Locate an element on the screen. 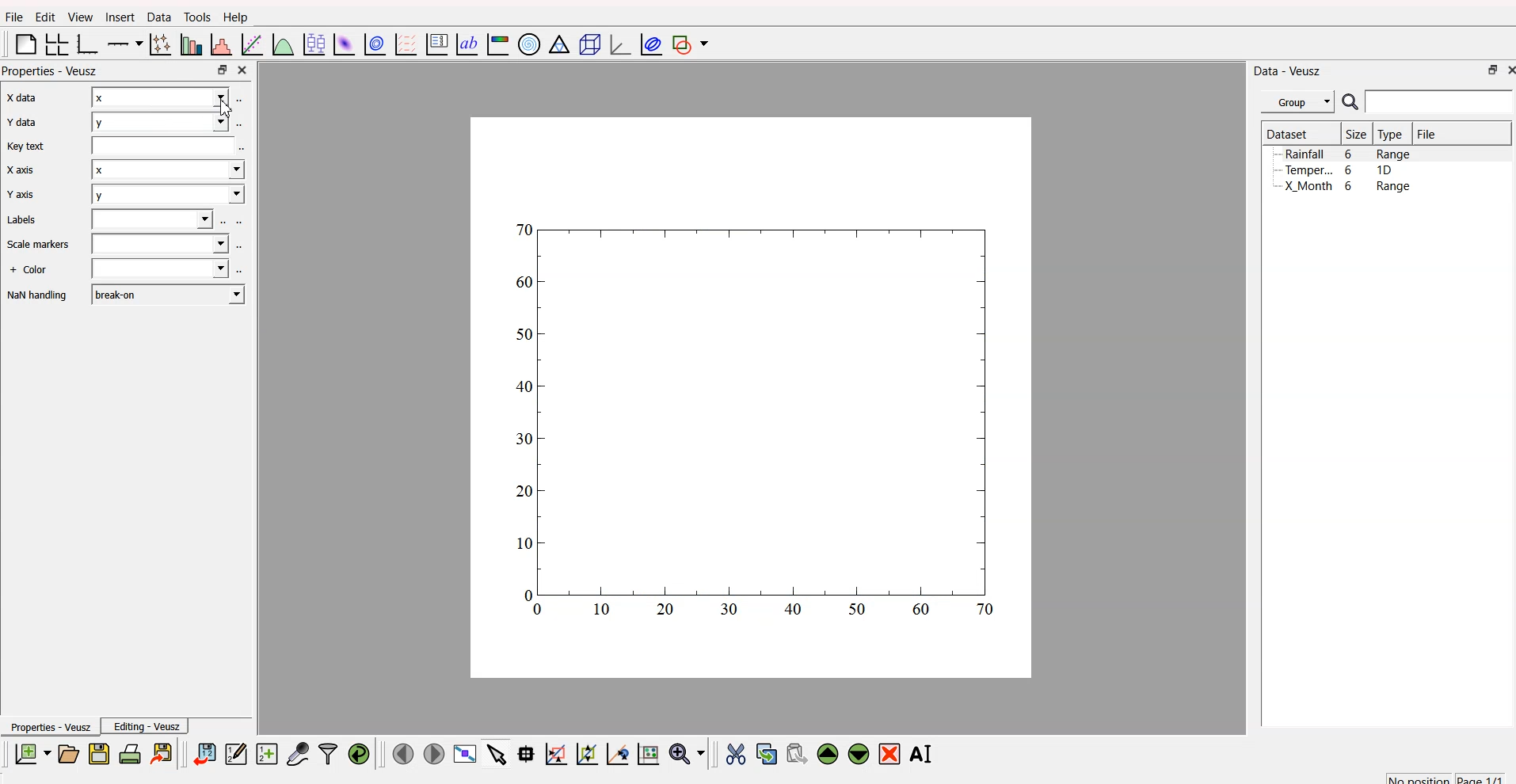 This screenshot has height=784, width=1516. x is located at coordinates (163, 169).